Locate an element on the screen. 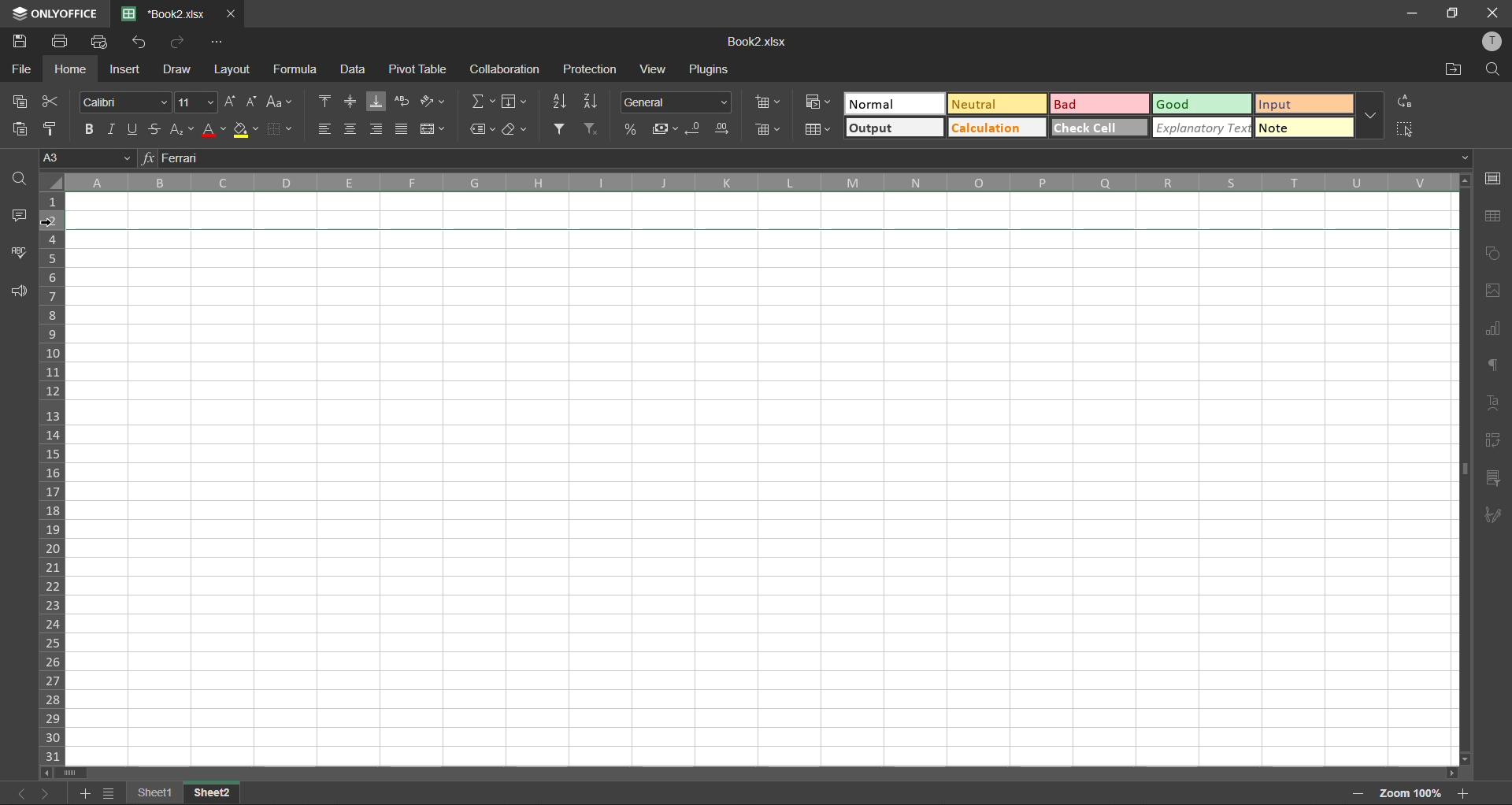 Image resolution: width=1512 pixels, height=805 pixels. sort descending is located at coordinates (594, 102).